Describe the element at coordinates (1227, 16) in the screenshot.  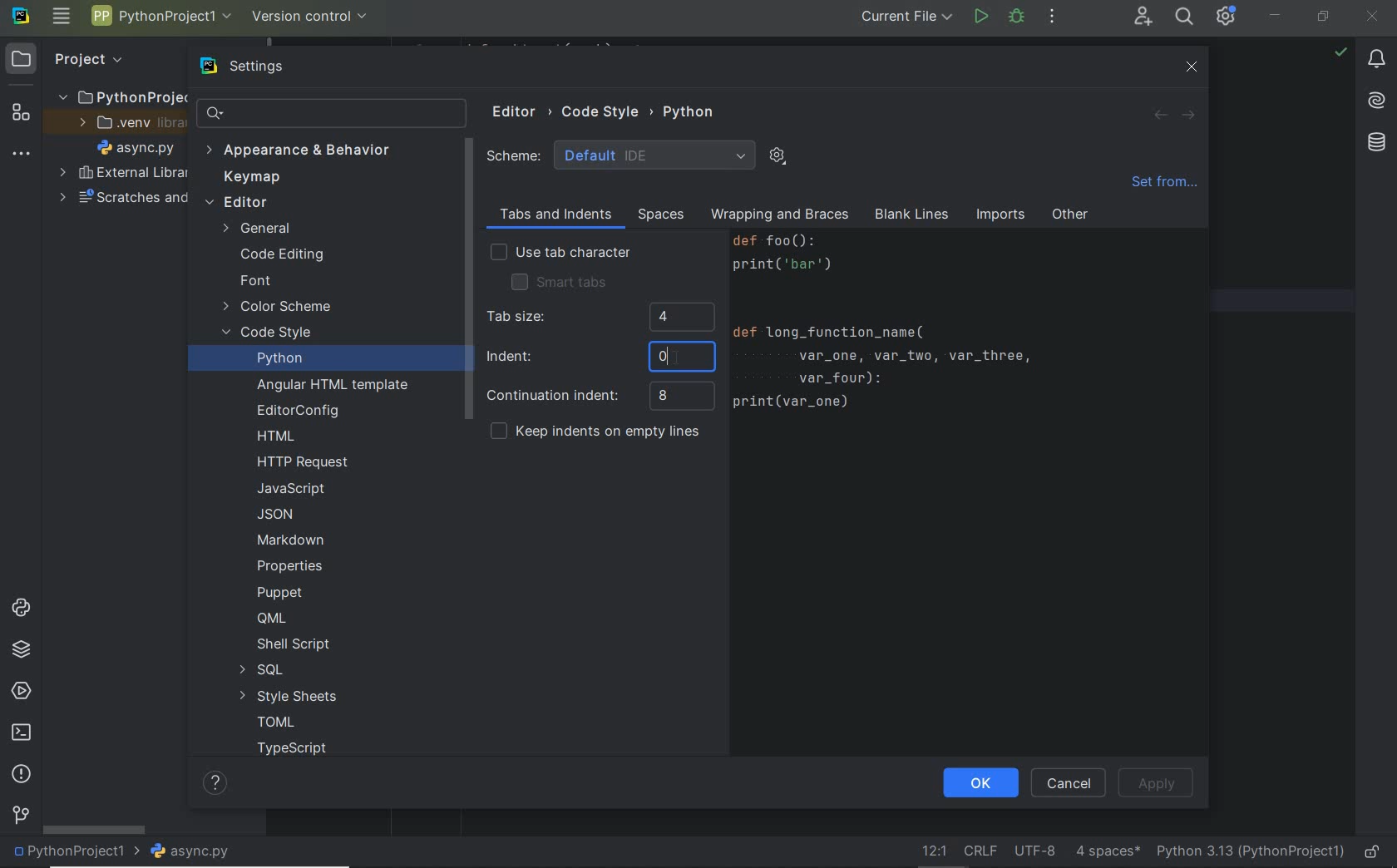
I see `IDE & Project Settings` at that location.